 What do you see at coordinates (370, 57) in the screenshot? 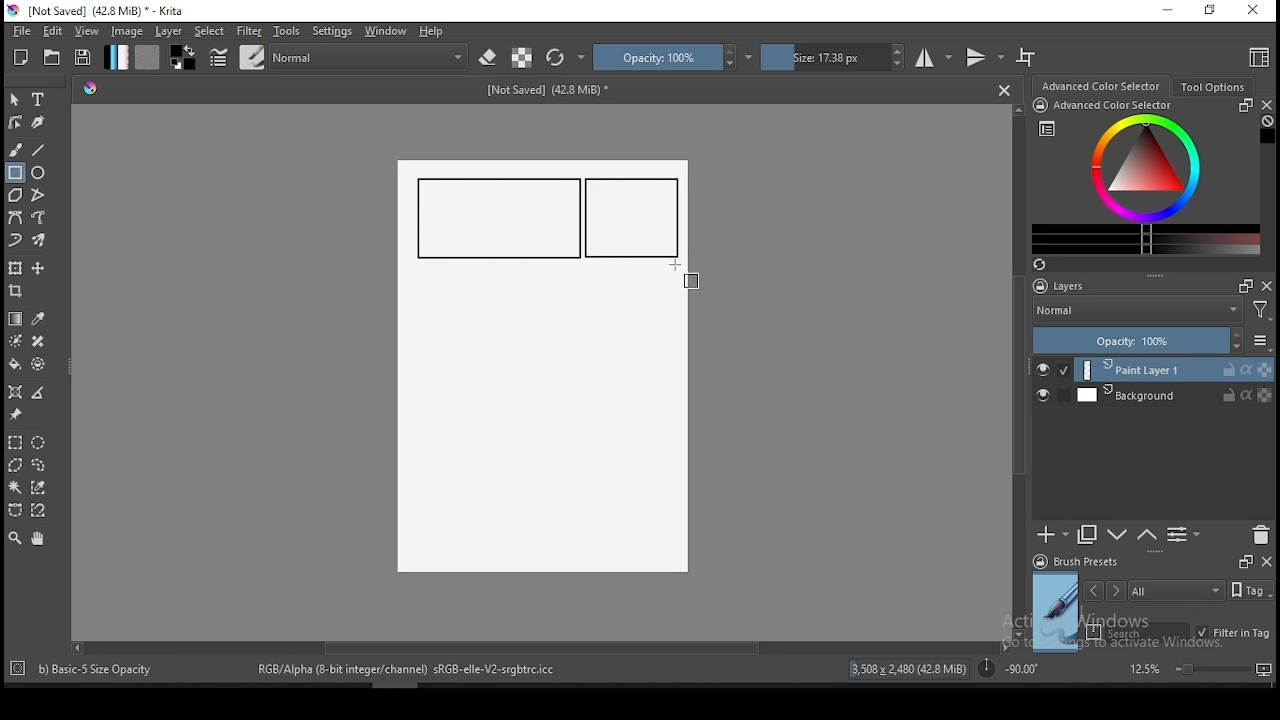
I see `blending mode` at bounding box center [370, 57].